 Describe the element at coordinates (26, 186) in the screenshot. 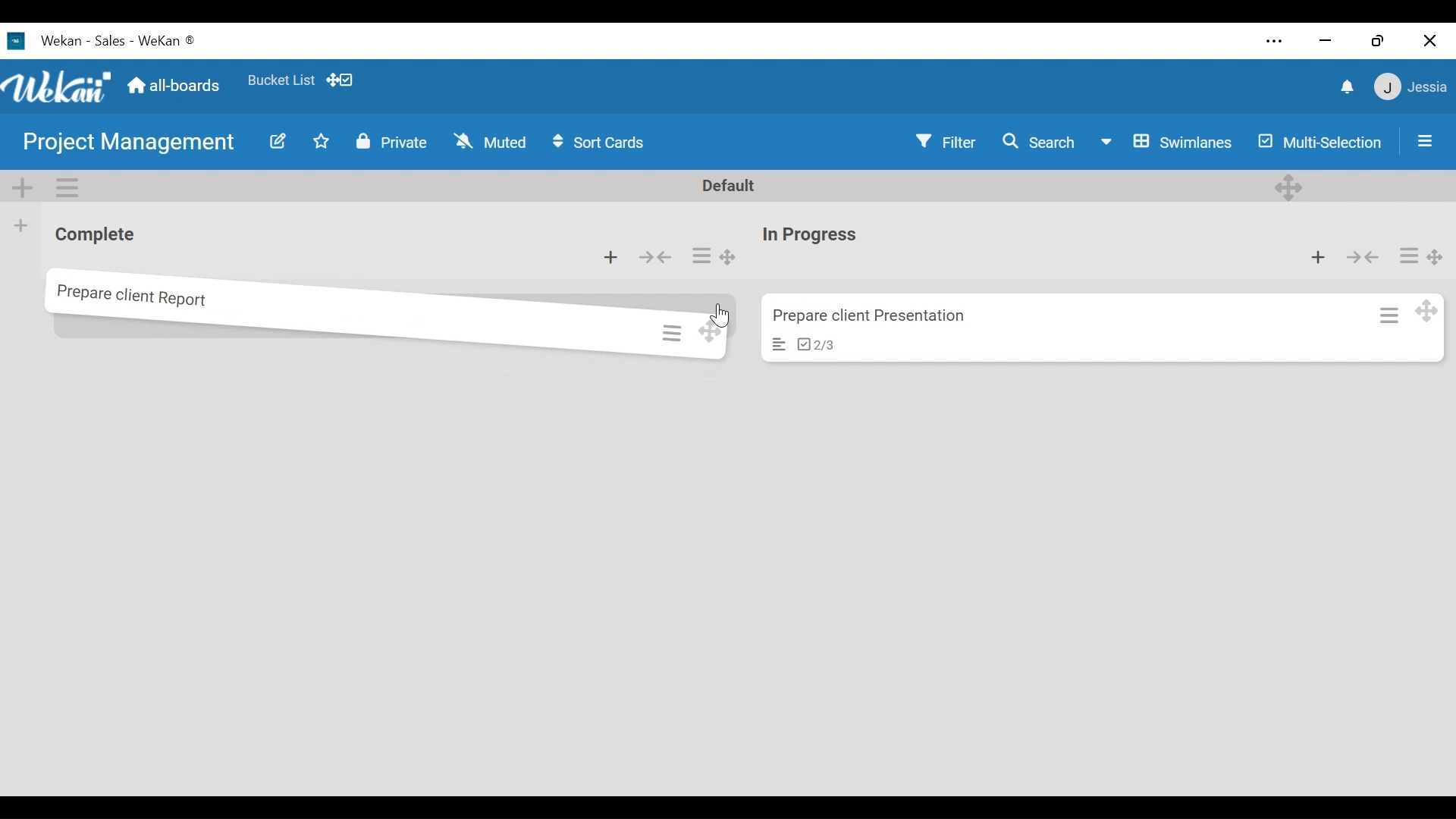

I see `Add Swimlane` at that location.